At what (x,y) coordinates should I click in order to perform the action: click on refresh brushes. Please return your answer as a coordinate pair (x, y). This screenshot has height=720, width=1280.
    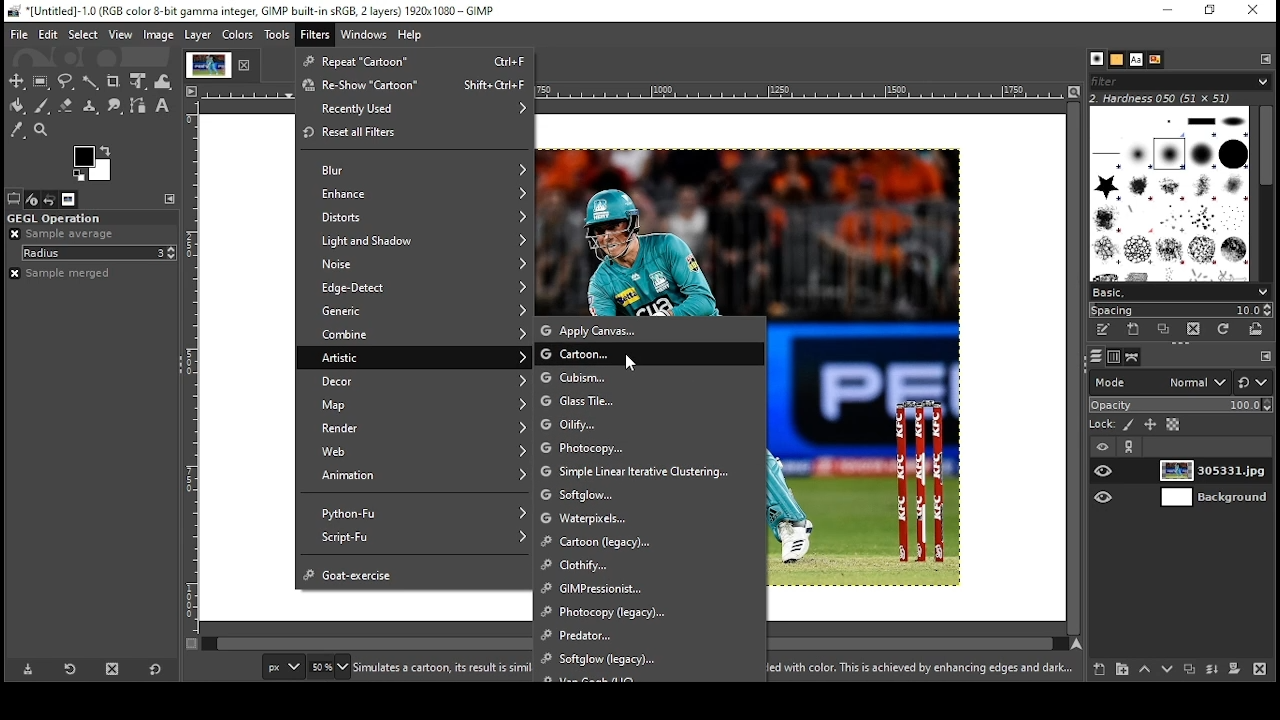
    Looking at the image, I should click on (1225, 329).